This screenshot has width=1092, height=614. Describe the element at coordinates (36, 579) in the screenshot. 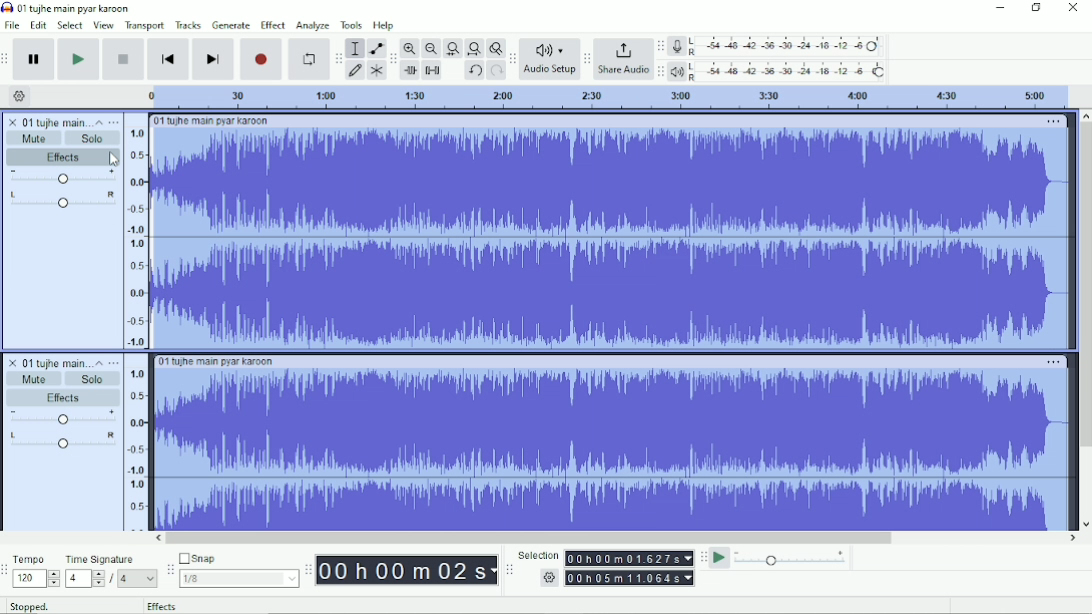

I see `120` at that location.